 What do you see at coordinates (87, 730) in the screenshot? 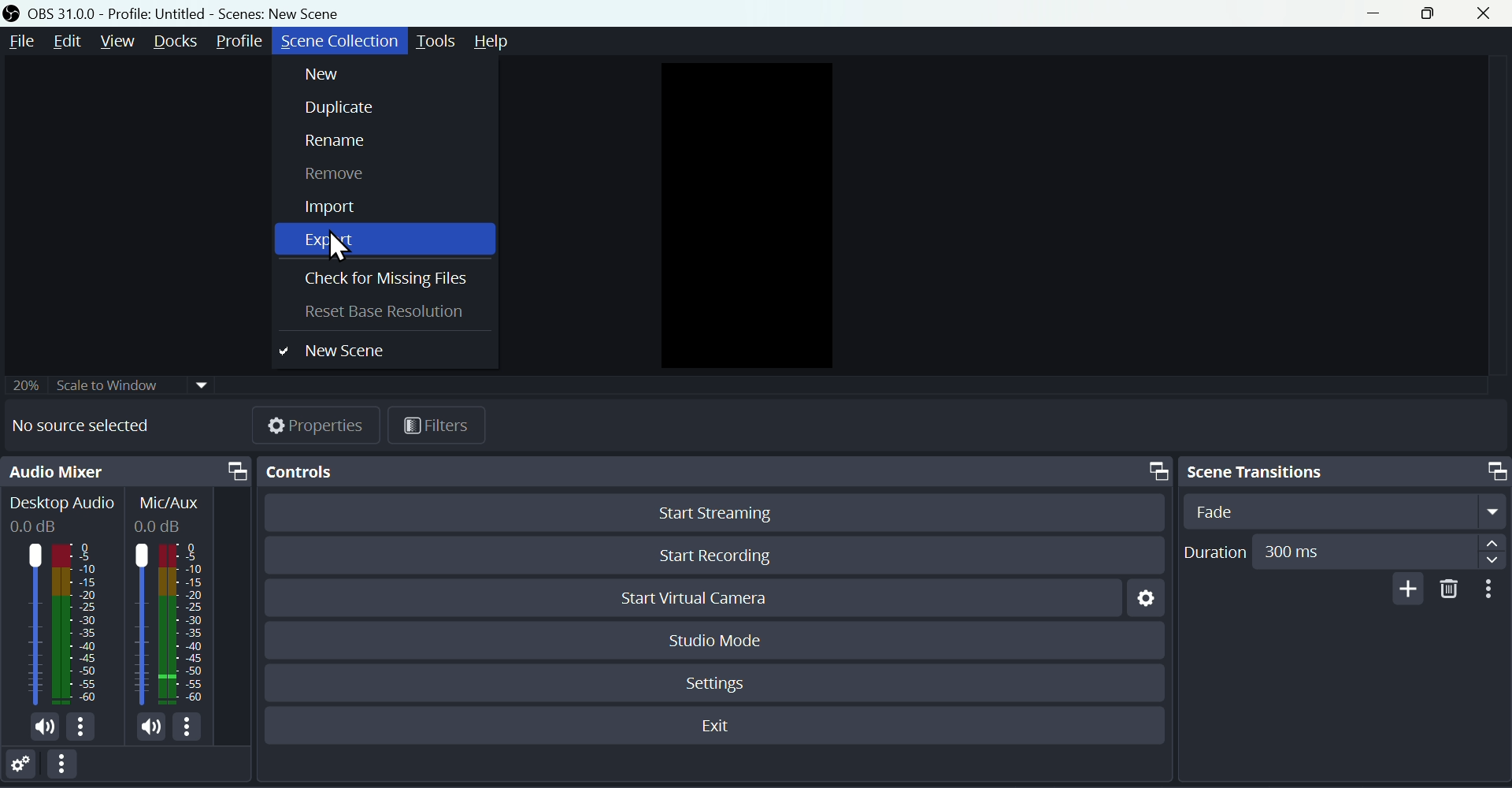
I see `more options` at bounding box center [87, 730].